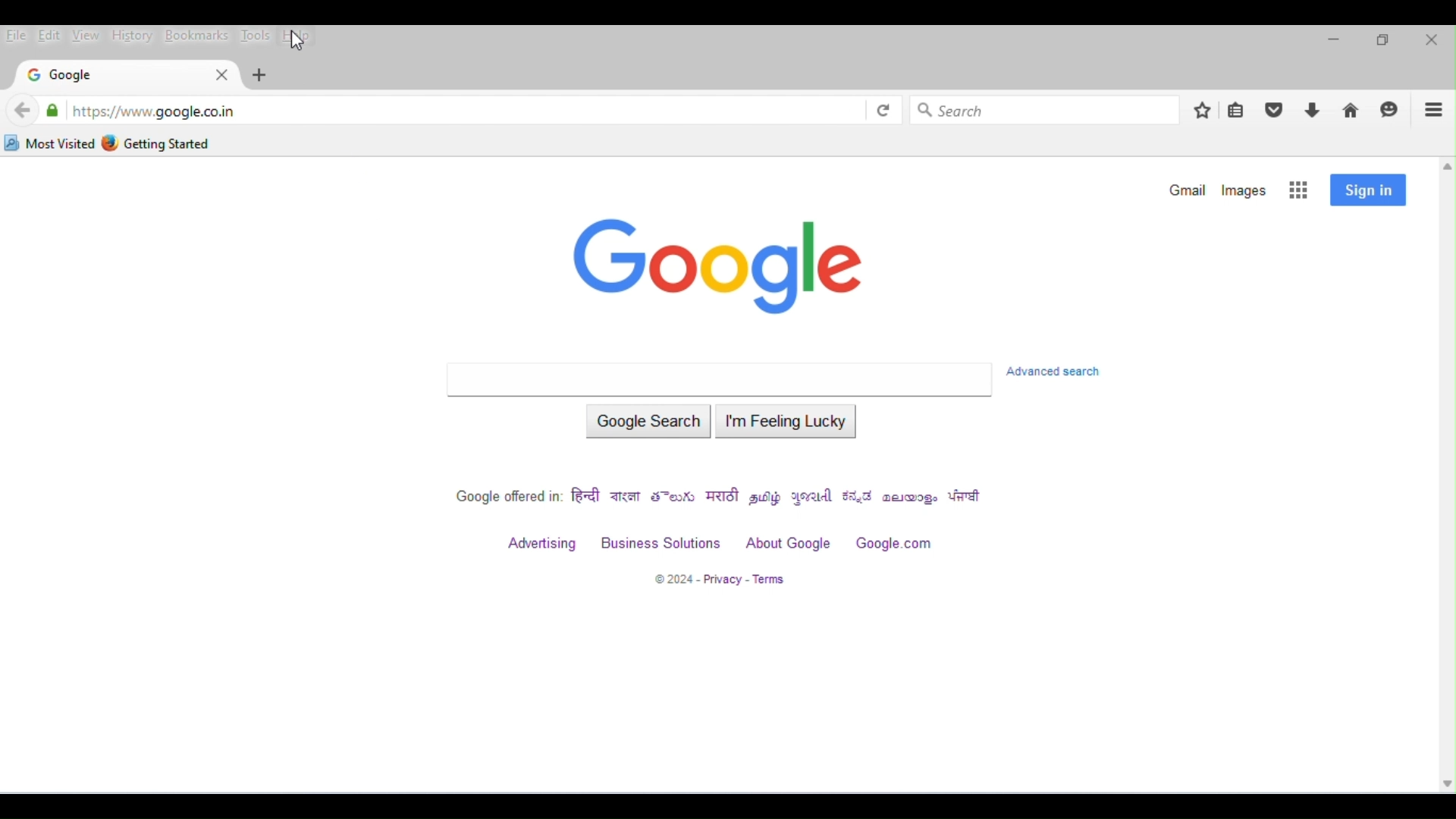 This screenshot has height=819, width=1456. Describe the element at coordinates (587, 499) in the screenshot. I see `hindi` at that location.